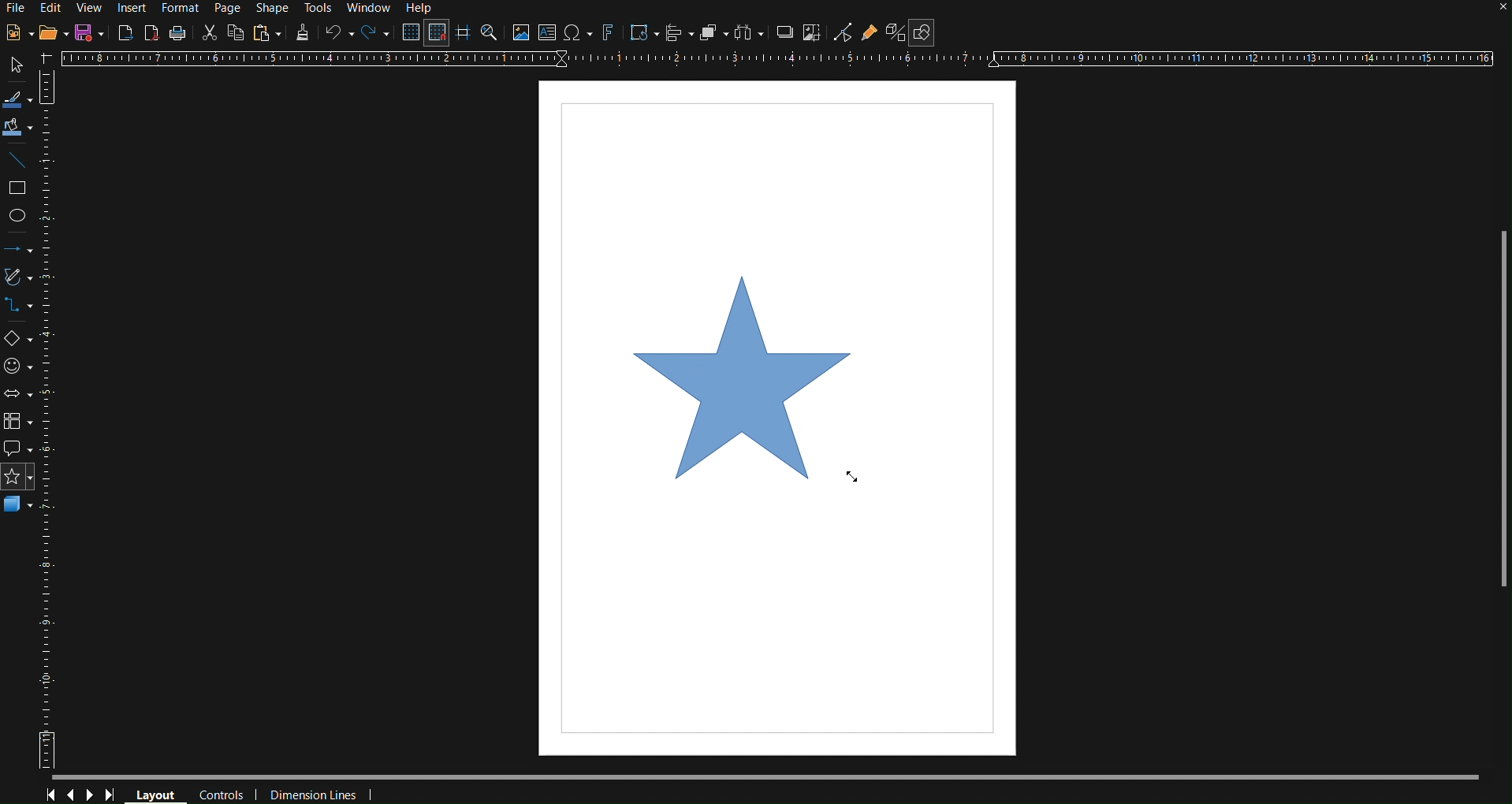 This screenshot has width=1512, height=804. What do you see at coordinates (896, 32) in the screenshot?
I see `Toggle Extrusion` at bounding box center [896, 32].